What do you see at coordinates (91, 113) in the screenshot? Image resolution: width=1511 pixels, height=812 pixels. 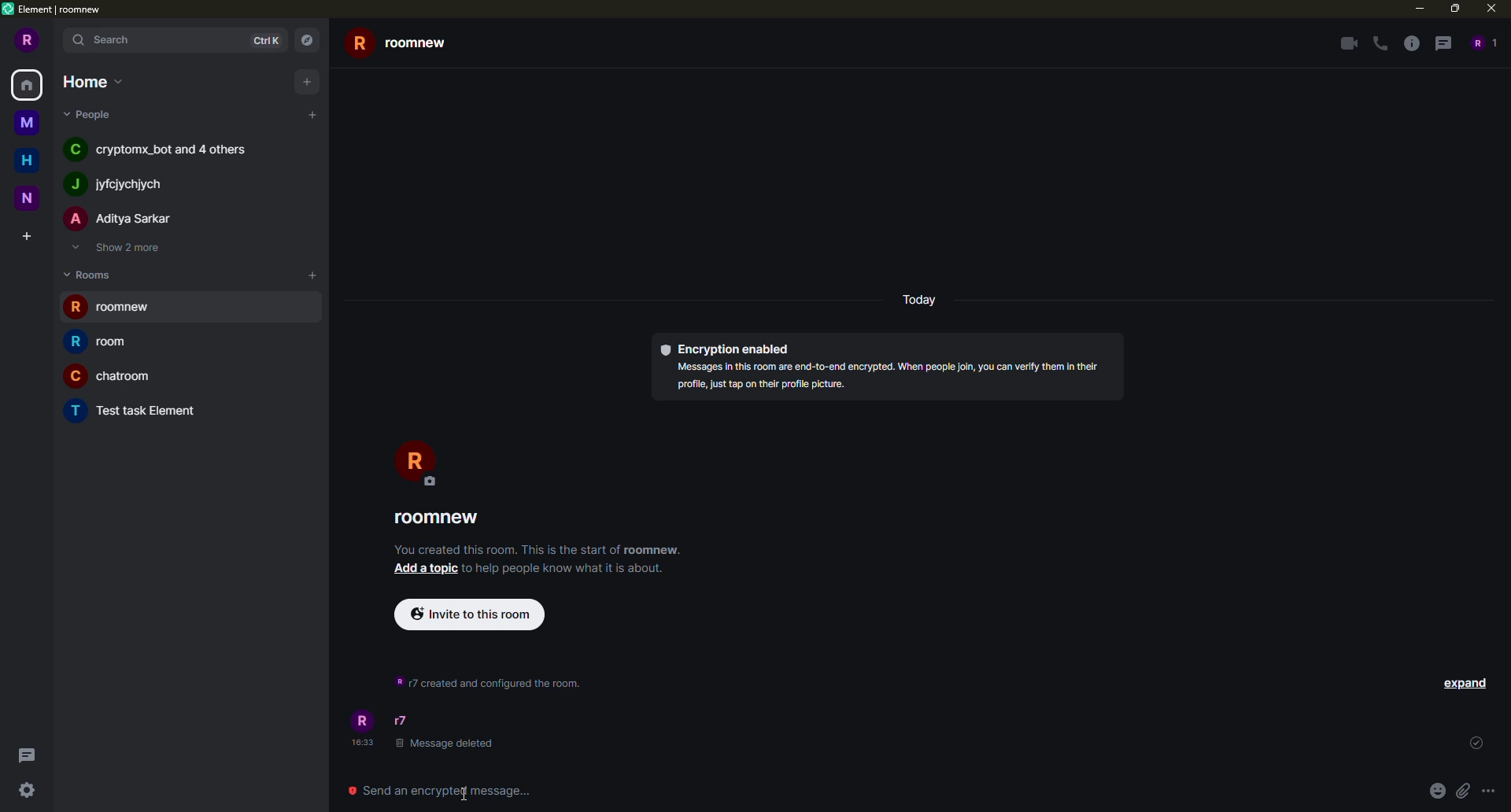 I see `people` at bounding box center [91, 113].